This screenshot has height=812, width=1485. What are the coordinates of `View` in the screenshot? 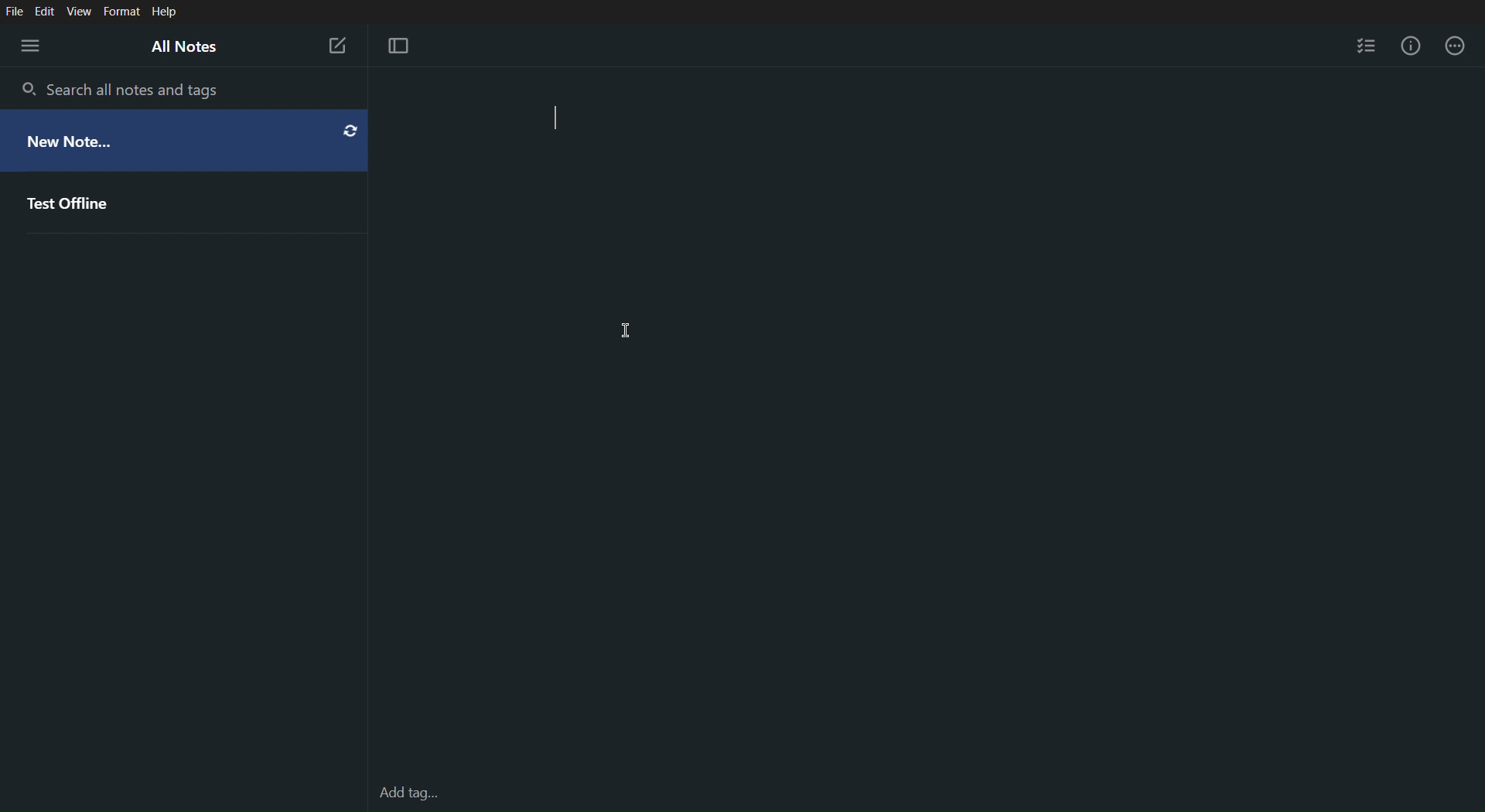 It's located at (81, 10).